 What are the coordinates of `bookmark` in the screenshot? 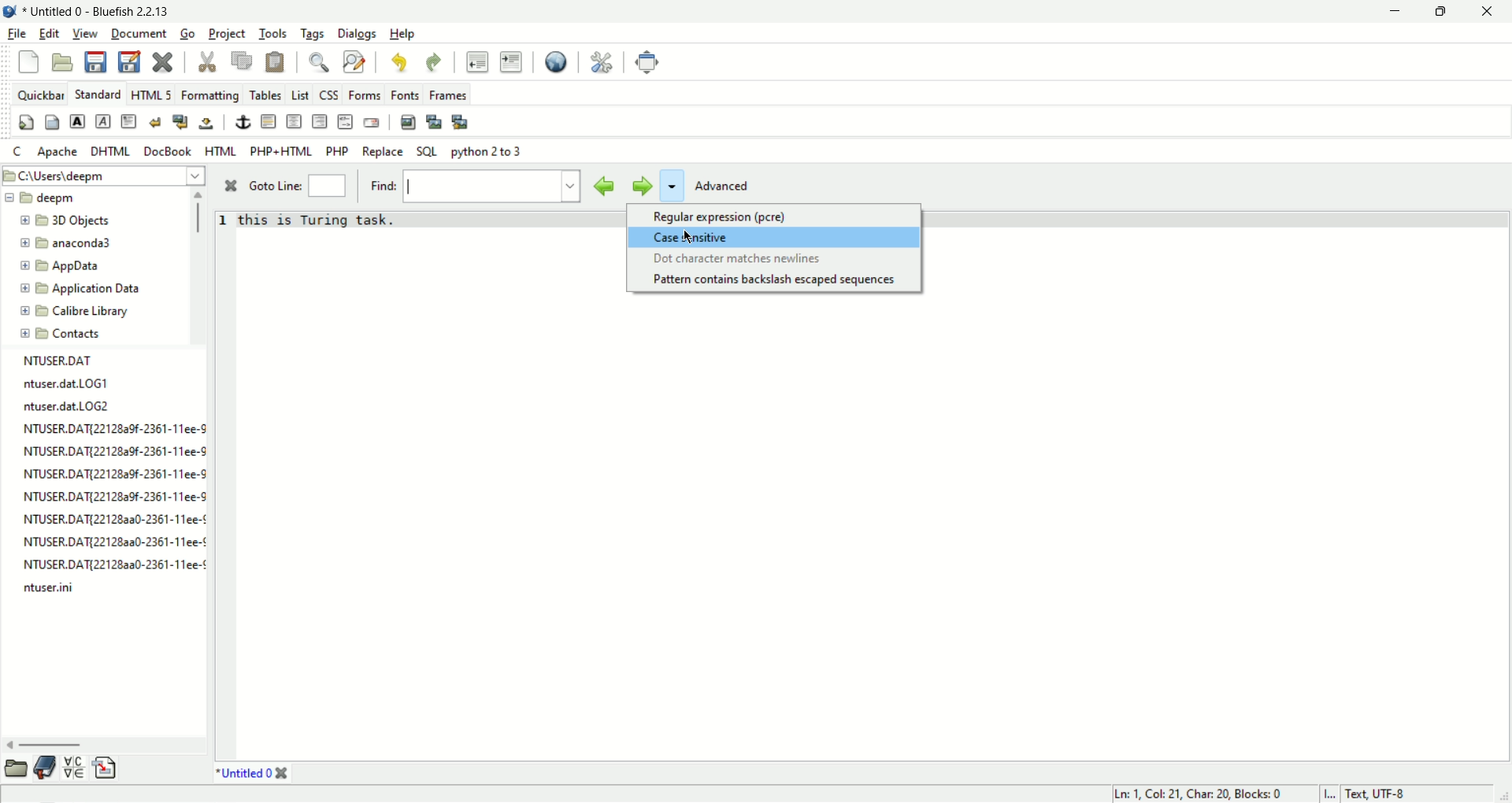 It's located at (44, 767).